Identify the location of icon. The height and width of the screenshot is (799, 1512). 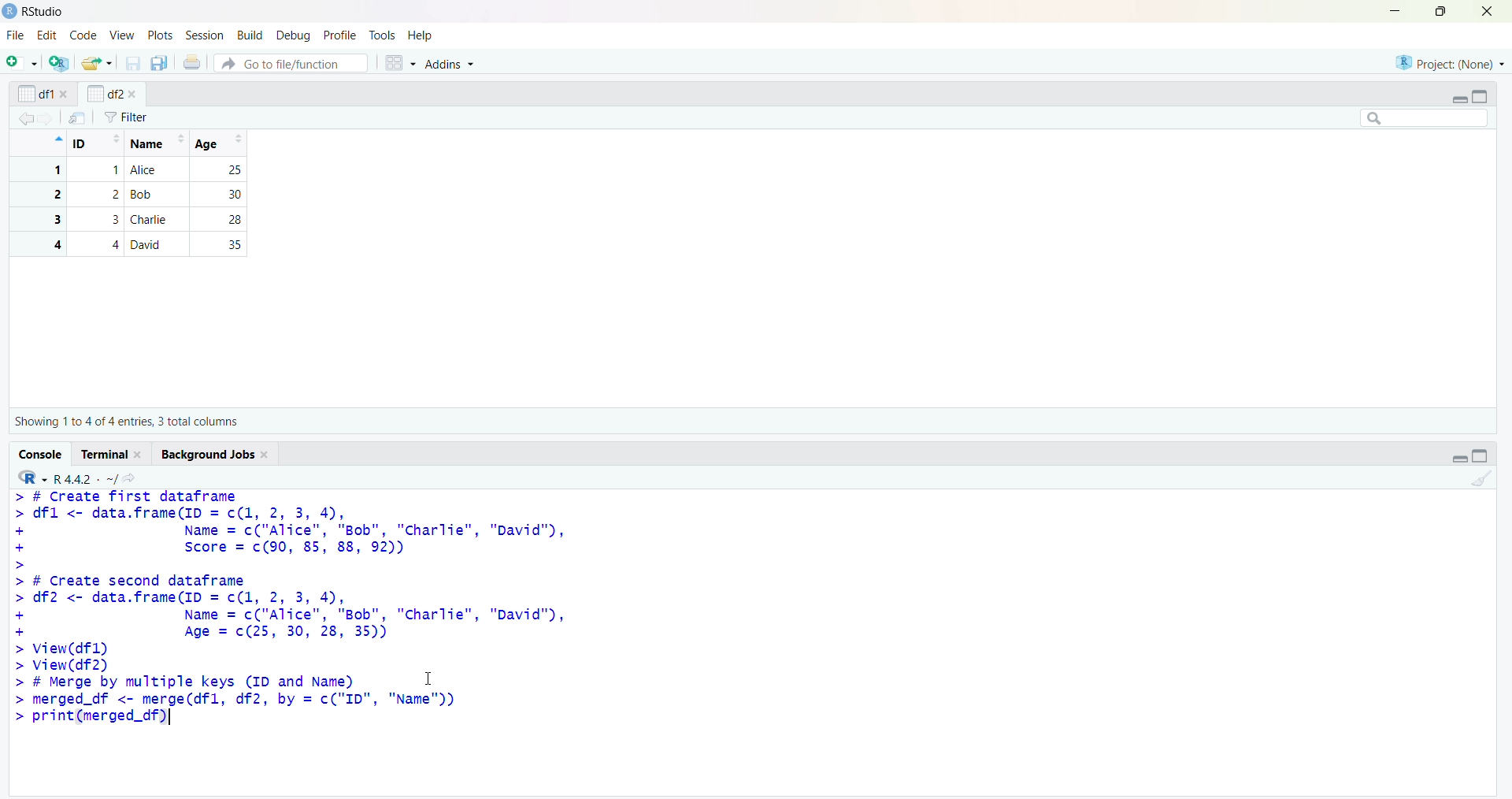
(57, 139).